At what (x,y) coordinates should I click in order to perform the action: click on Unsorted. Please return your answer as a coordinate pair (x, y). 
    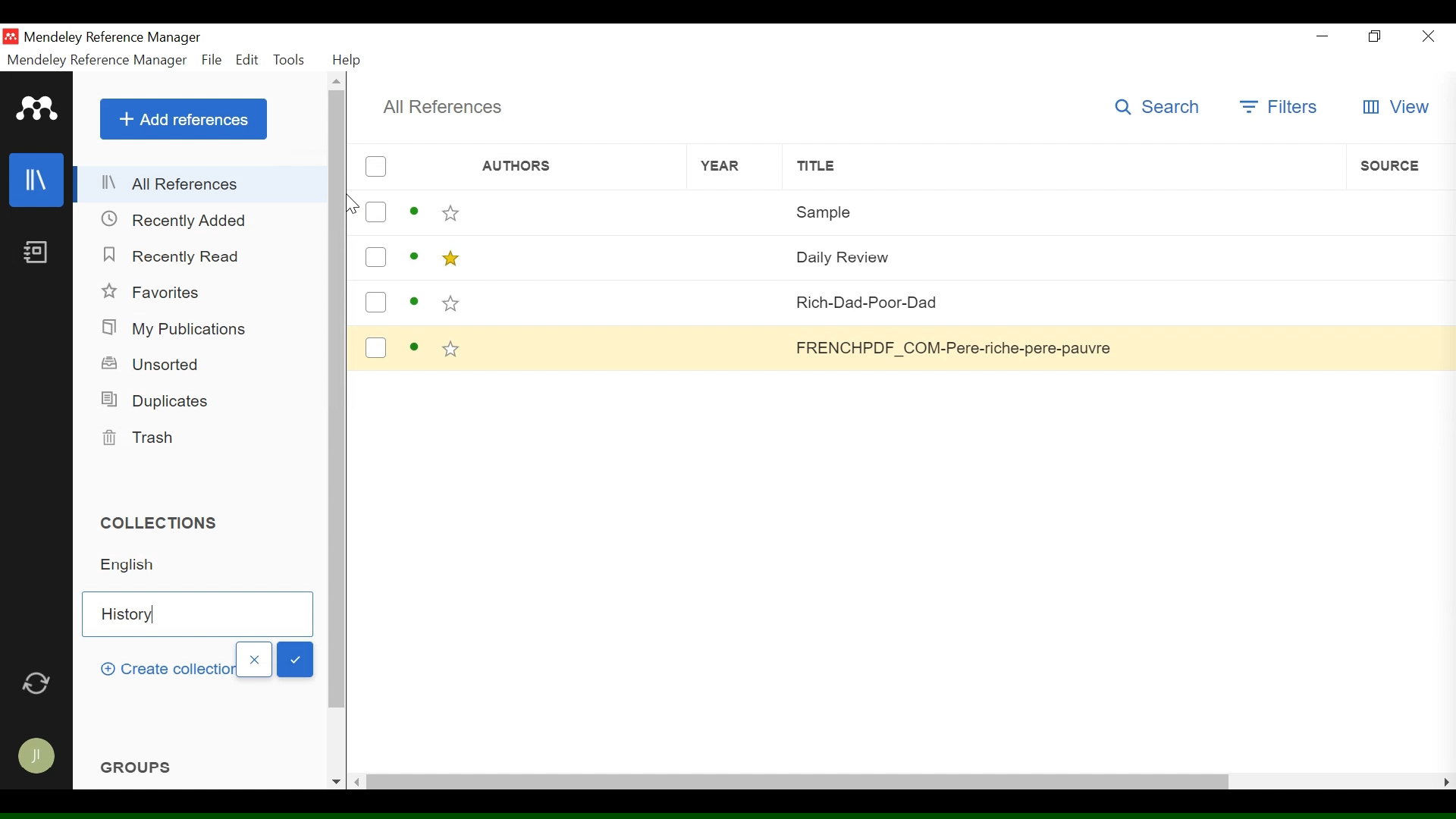
    Looking at the image, I should click on (154, 366).